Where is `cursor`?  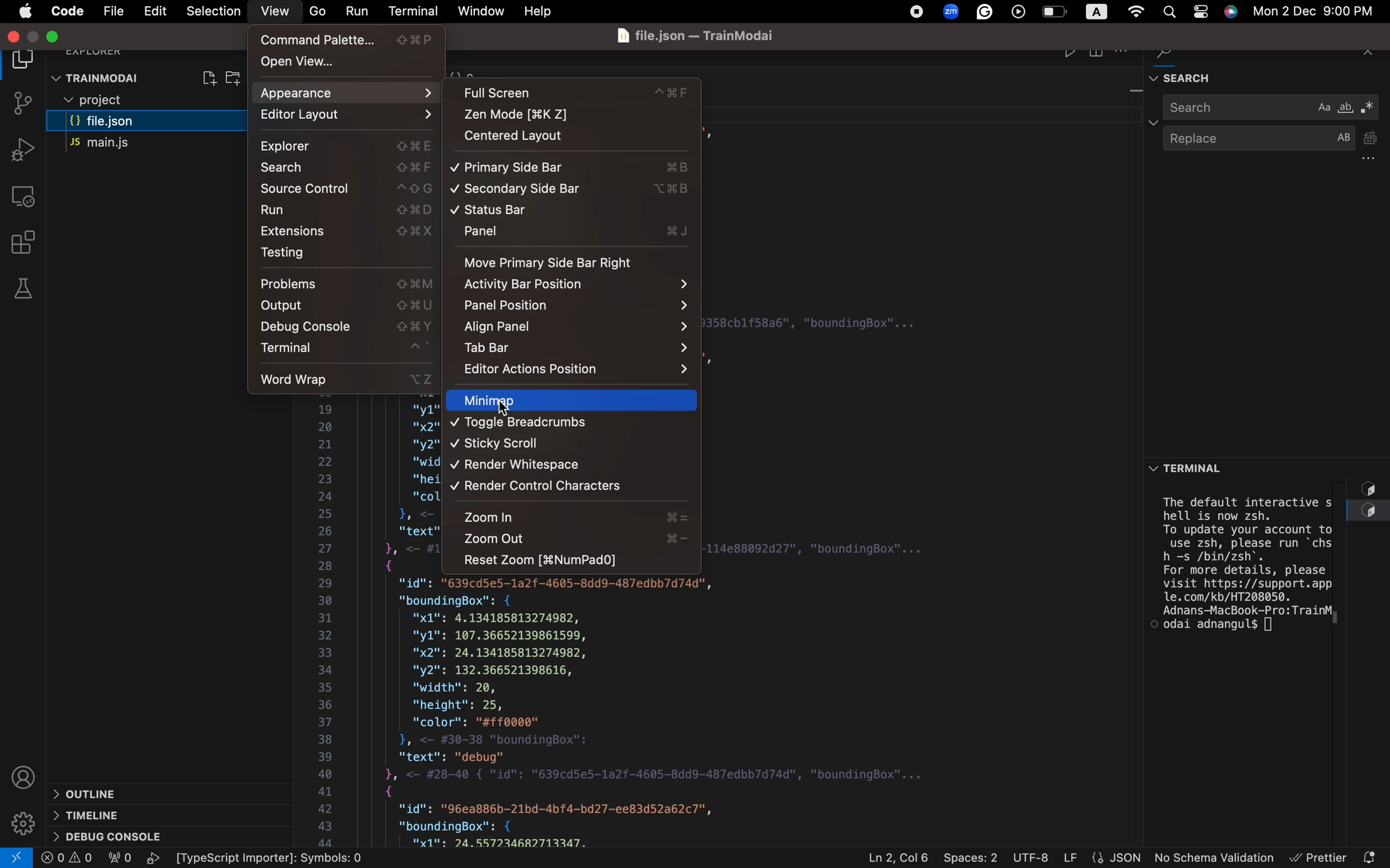
cursor is located at coordinates (503, 404).